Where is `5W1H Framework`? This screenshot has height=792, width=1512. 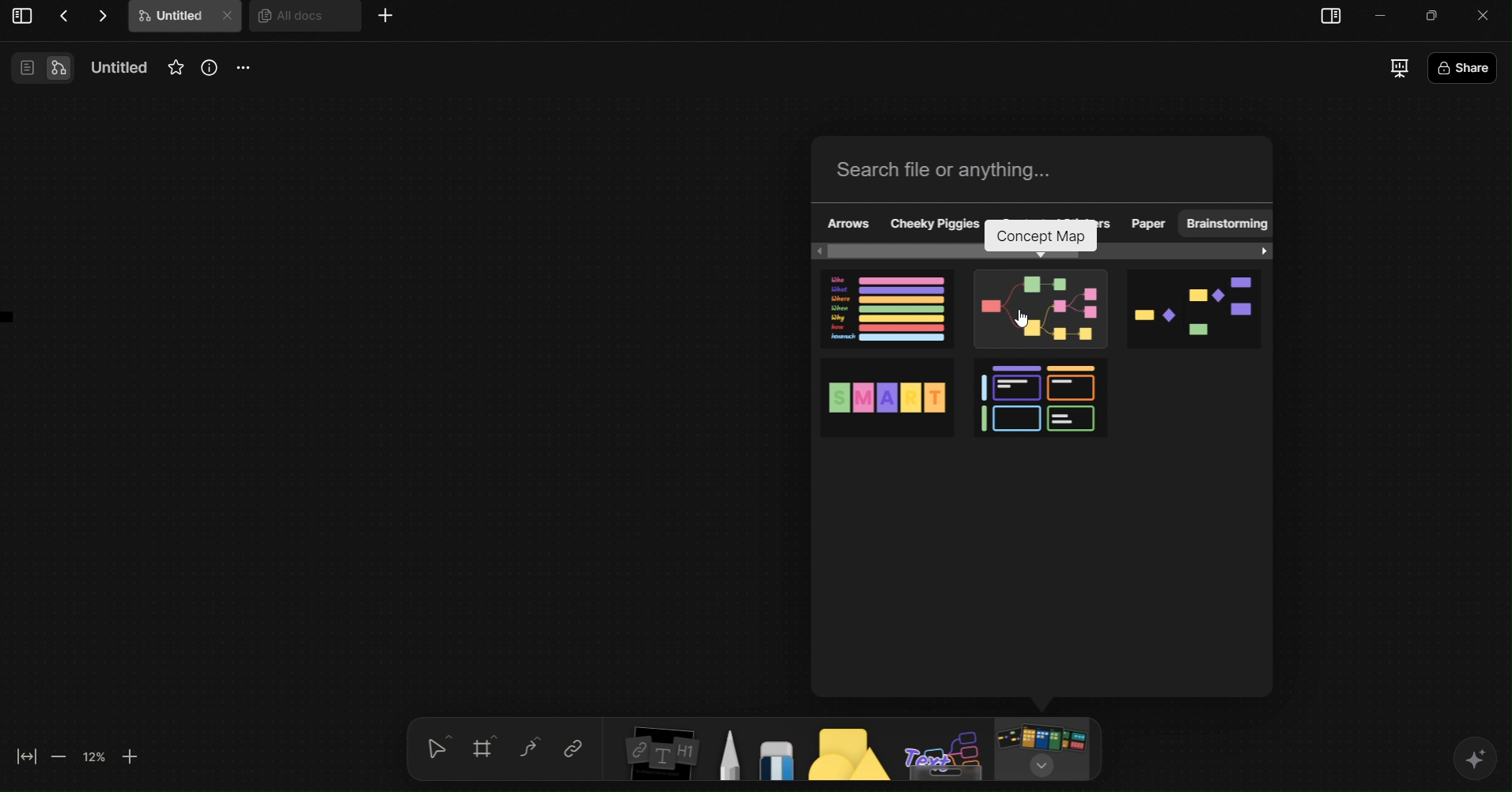
5W1H Framework is located at coordinates (890, 308).